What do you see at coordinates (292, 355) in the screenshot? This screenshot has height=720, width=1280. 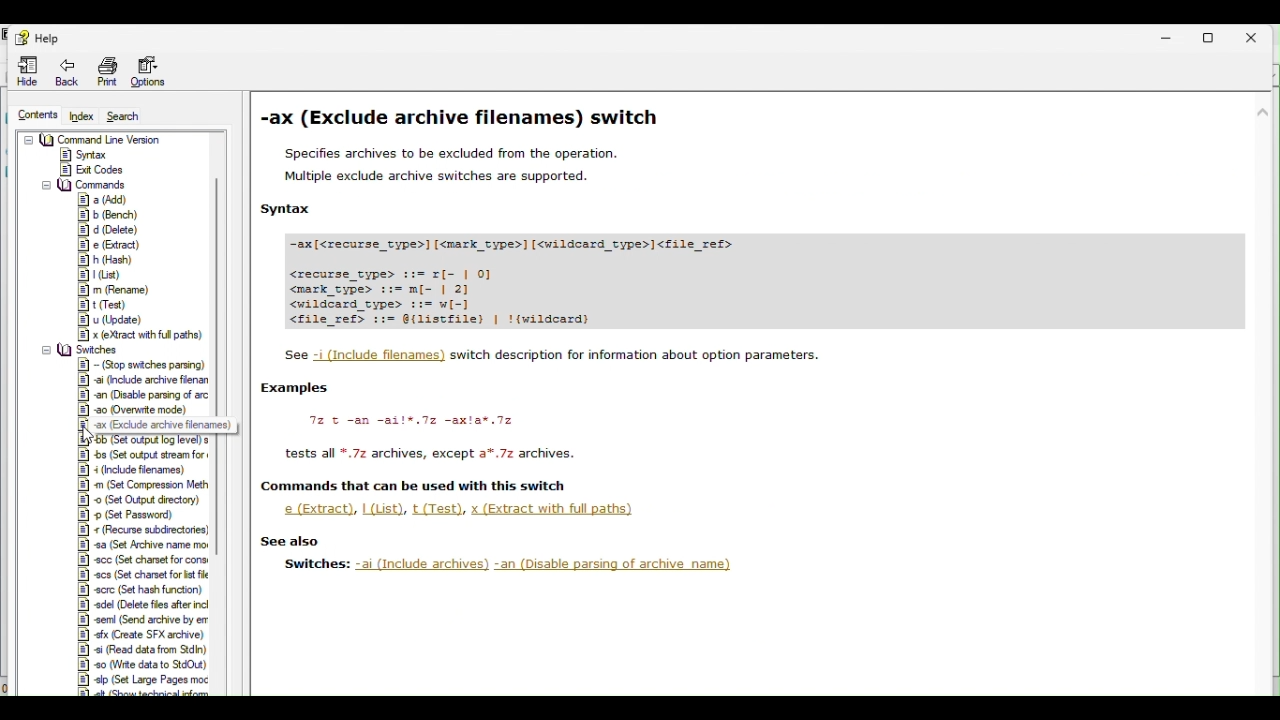 I see `See` at bounding box center [292, 355].